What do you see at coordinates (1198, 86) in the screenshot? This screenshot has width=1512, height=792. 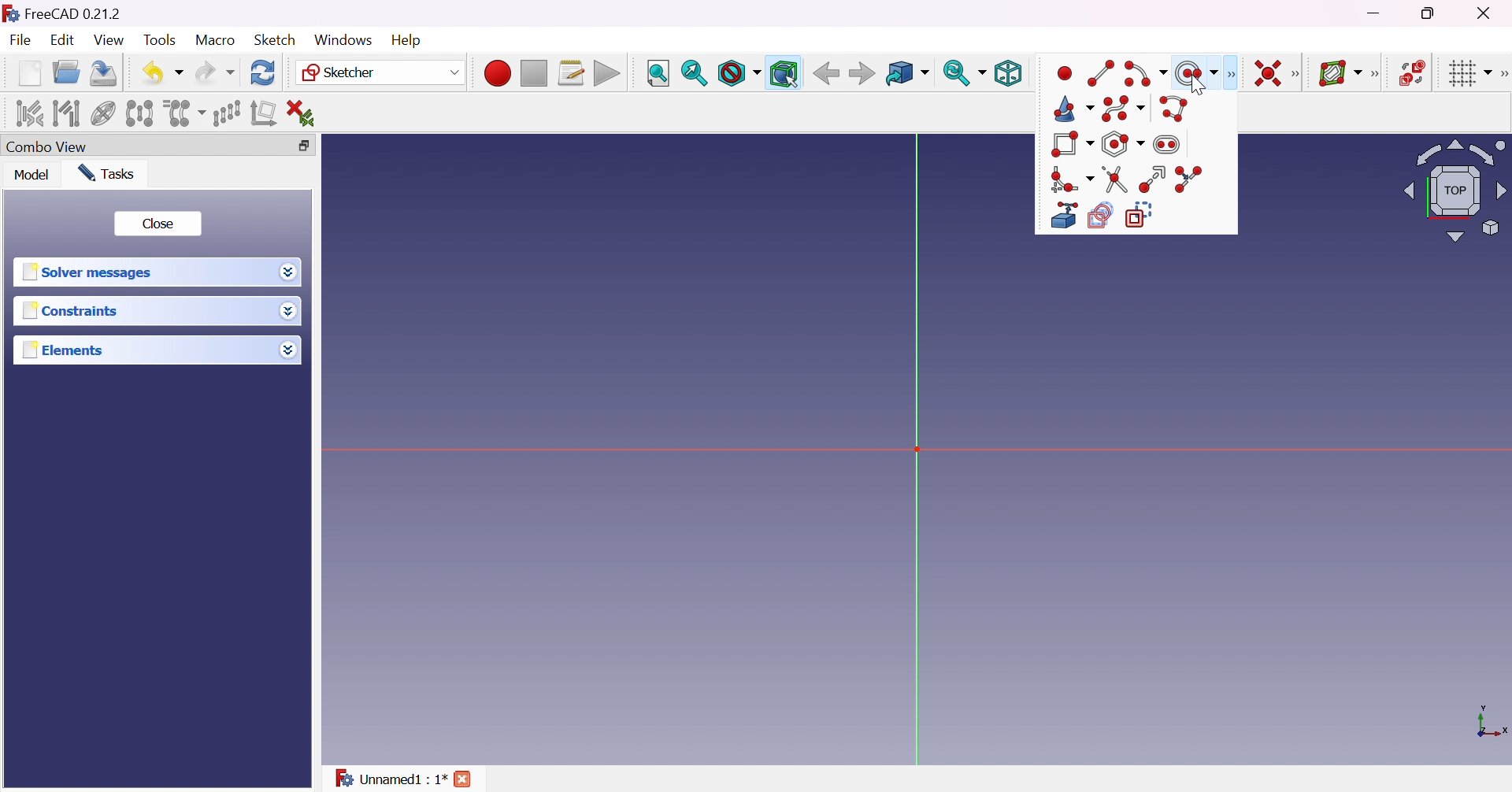 I see `cursor` at bounding box center [1198, 86].